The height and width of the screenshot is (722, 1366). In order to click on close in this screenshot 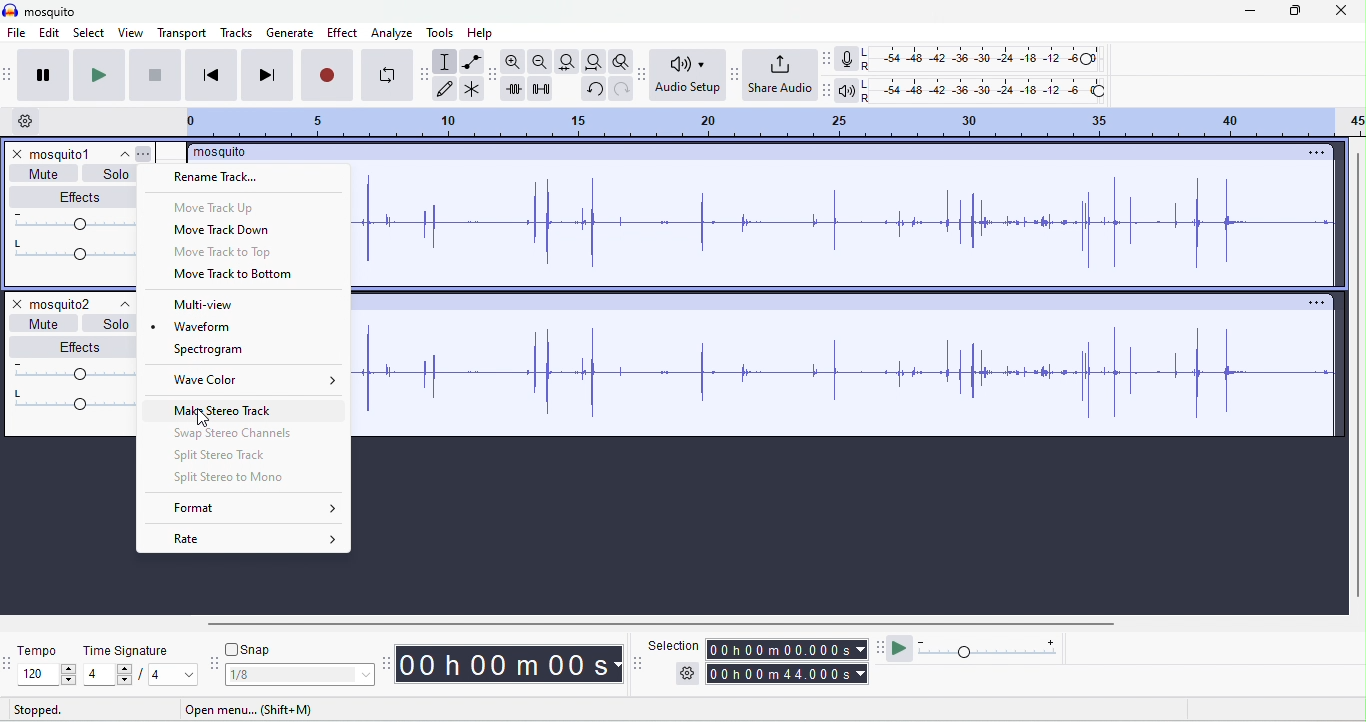, I will do `click(18, 154)`.